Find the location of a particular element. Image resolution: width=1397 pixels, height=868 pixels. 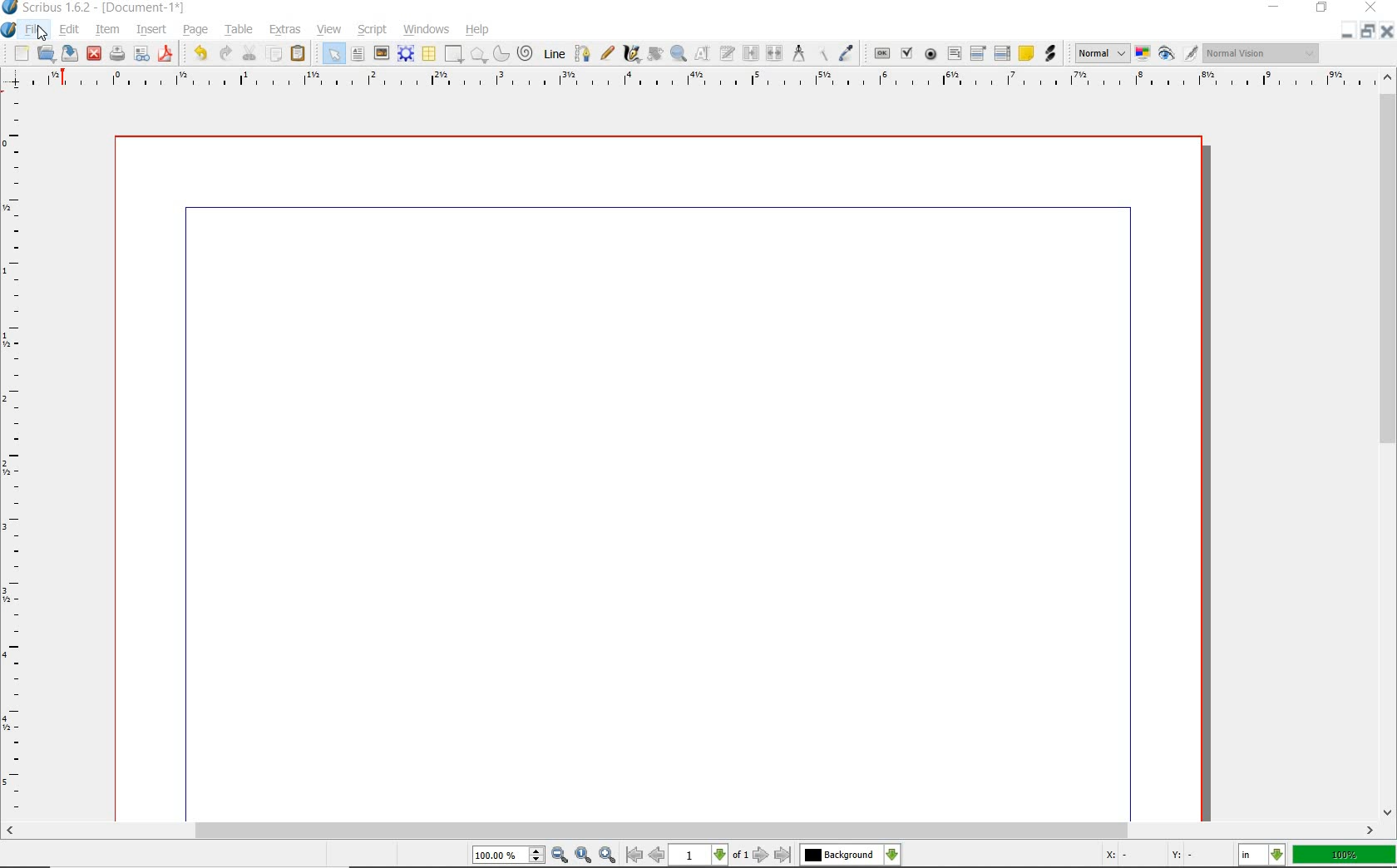

preflight verifier is located at coordinates (143, 52).